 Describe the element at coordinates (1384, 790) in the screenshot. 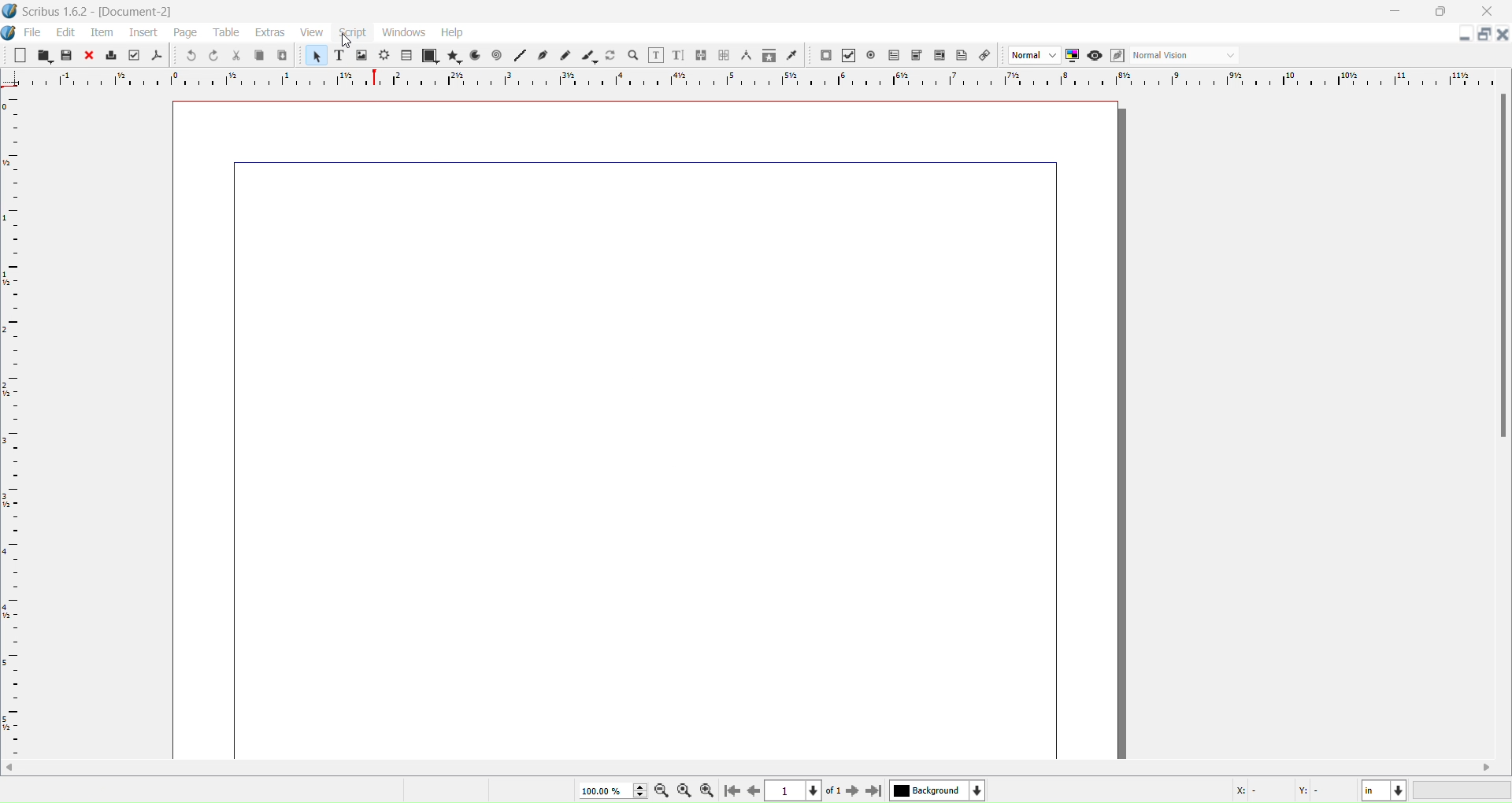

I see `Select the current unit` at that location.